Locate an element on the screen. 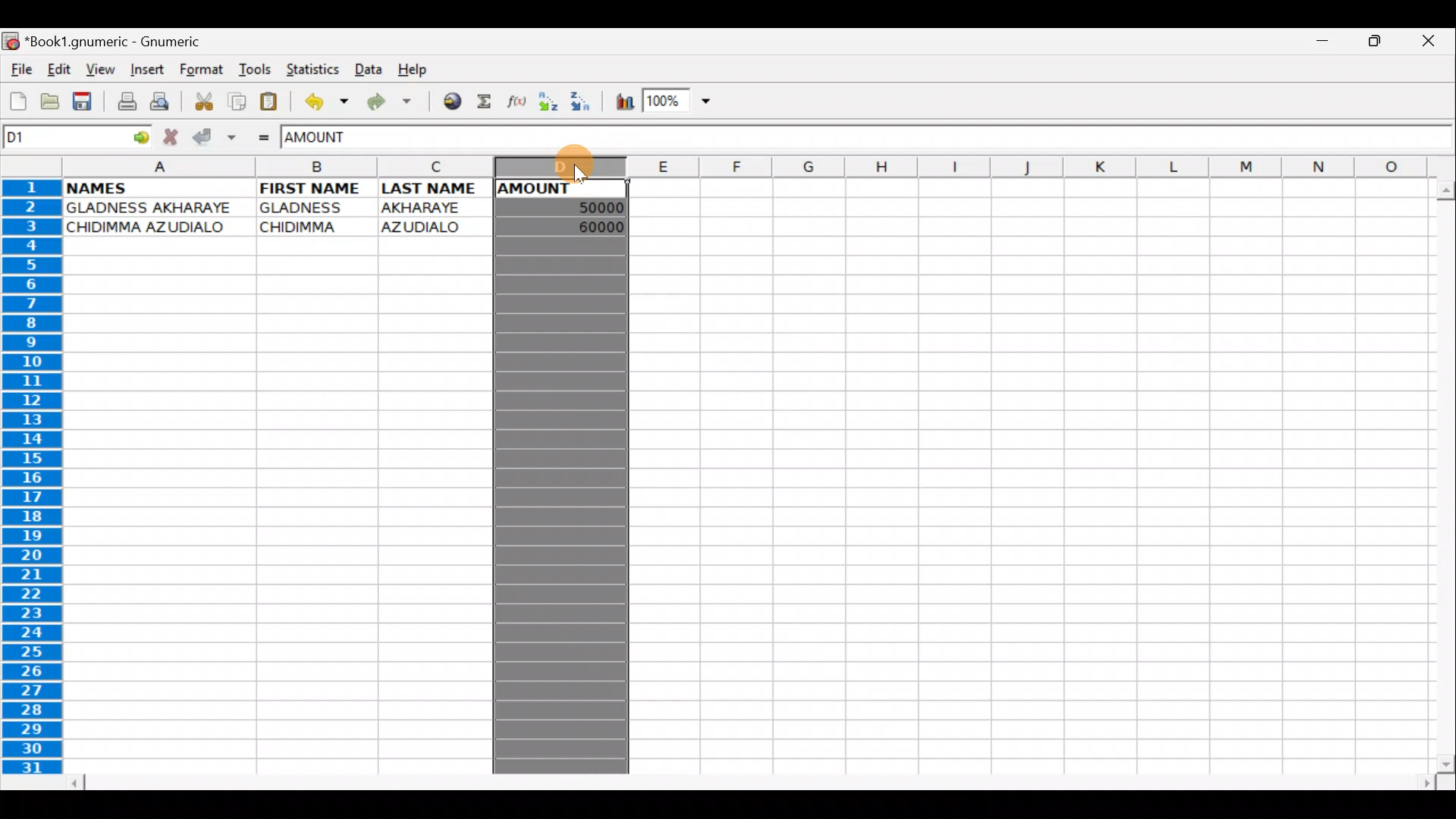 This screenshot has height=819, width=1456. CHIDIMMA AZUDIALO is located at coordinates (153, 227).